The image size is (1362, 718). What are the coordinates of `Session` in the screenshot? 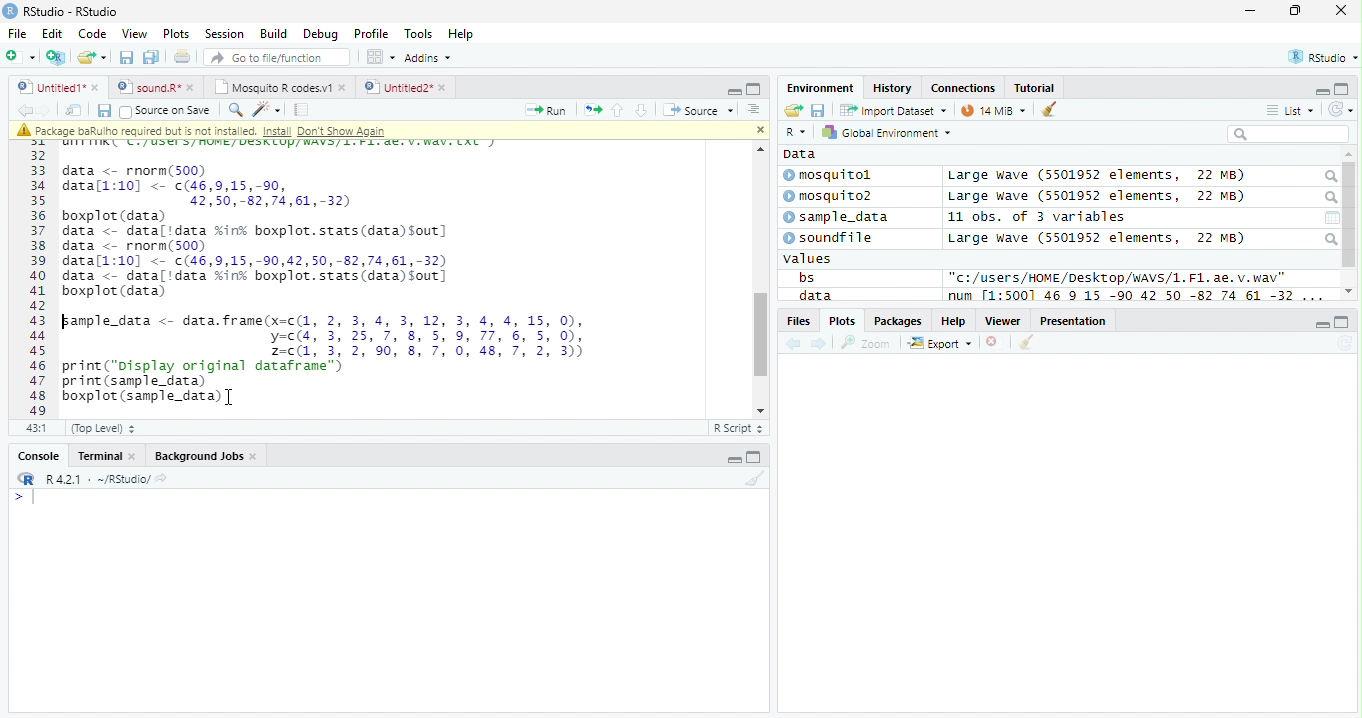 It's located at (224, 33).